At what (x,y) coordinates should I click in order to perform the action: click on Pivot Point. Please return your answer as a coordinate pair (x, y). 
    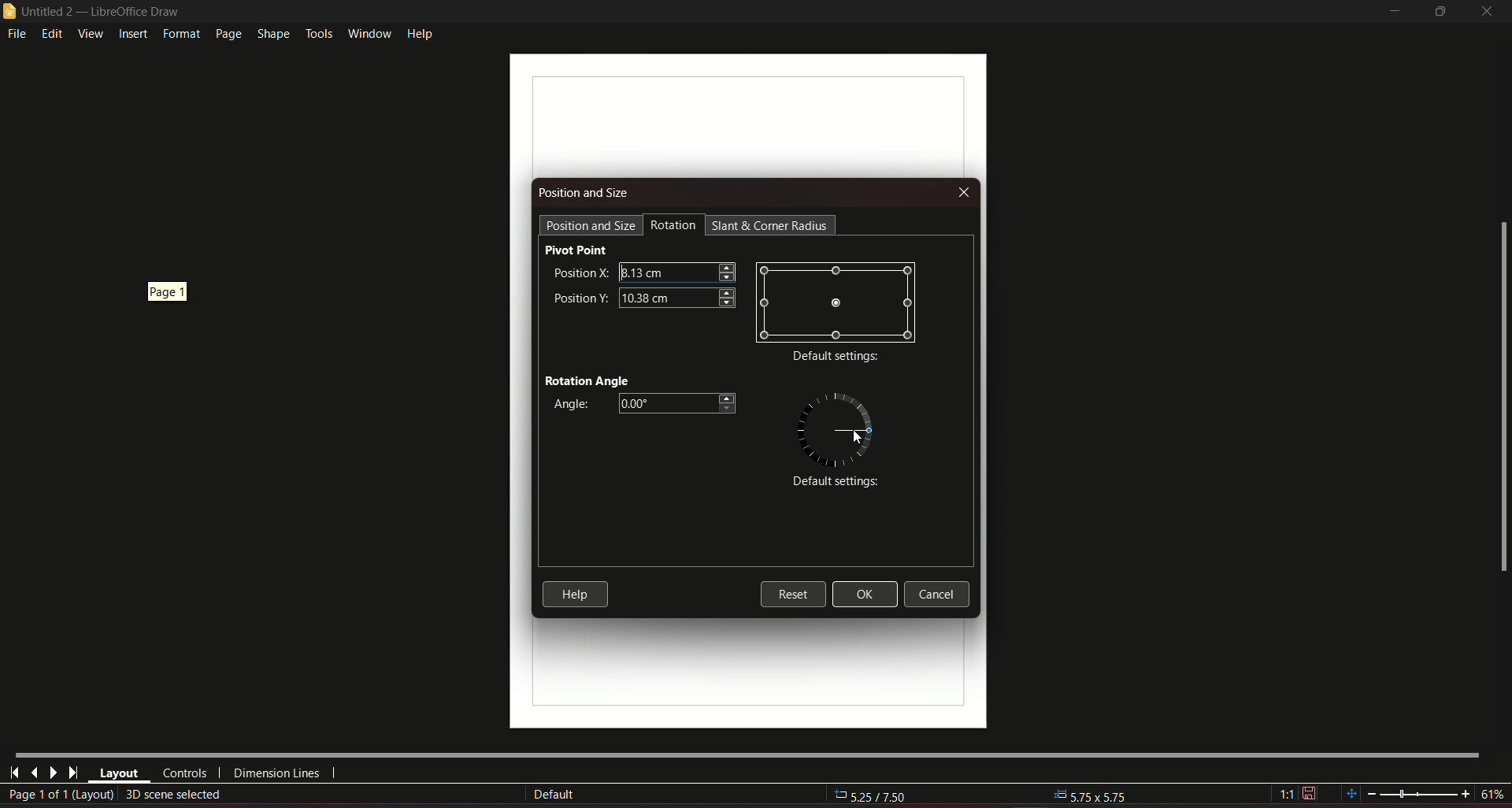
    Looking at the image, I should click on (576, 250).